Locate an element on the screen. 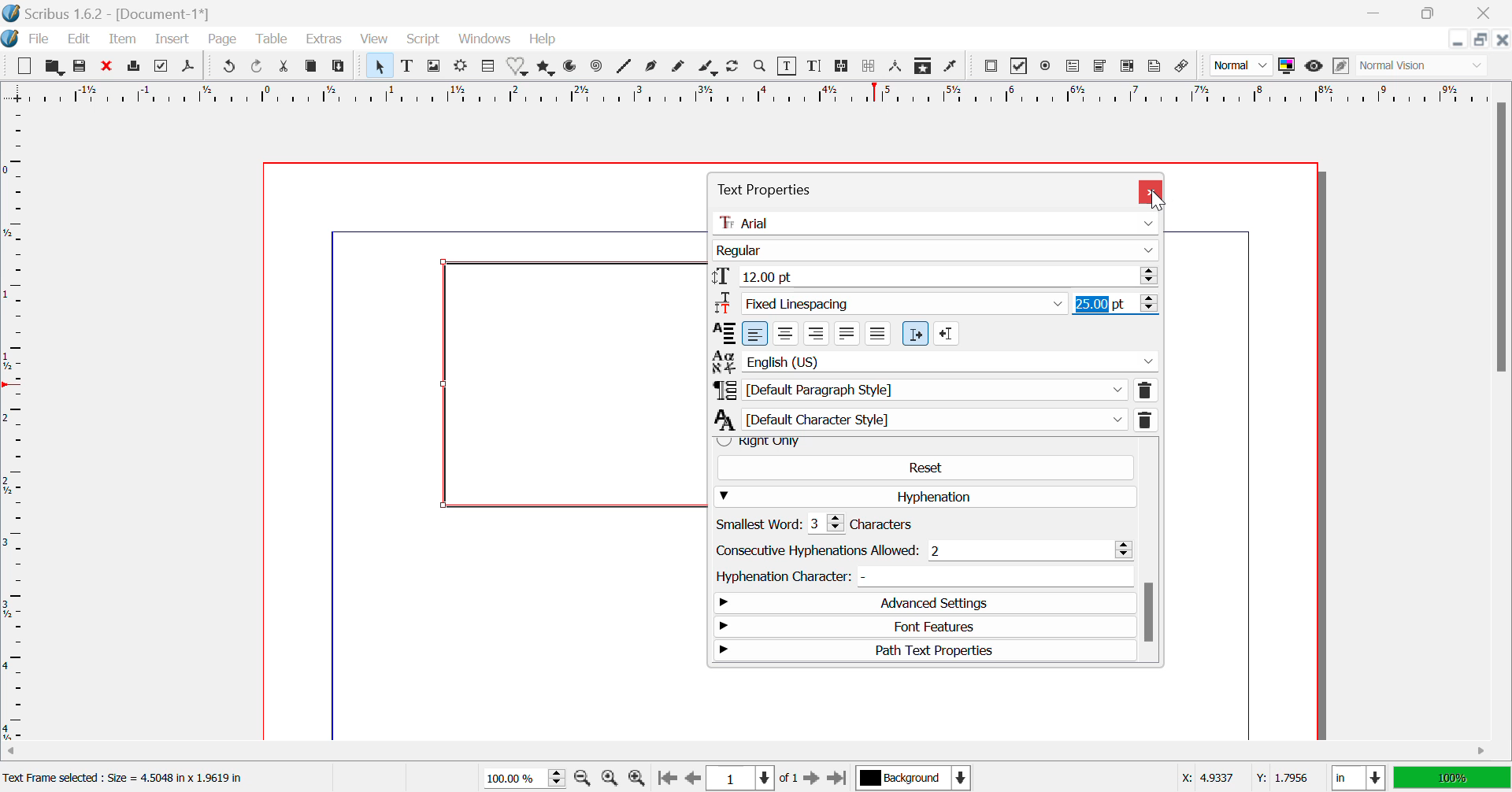 Image resolution: width=1512 pixels, height=792 pixels. Select is located at coordinates (379, 65).